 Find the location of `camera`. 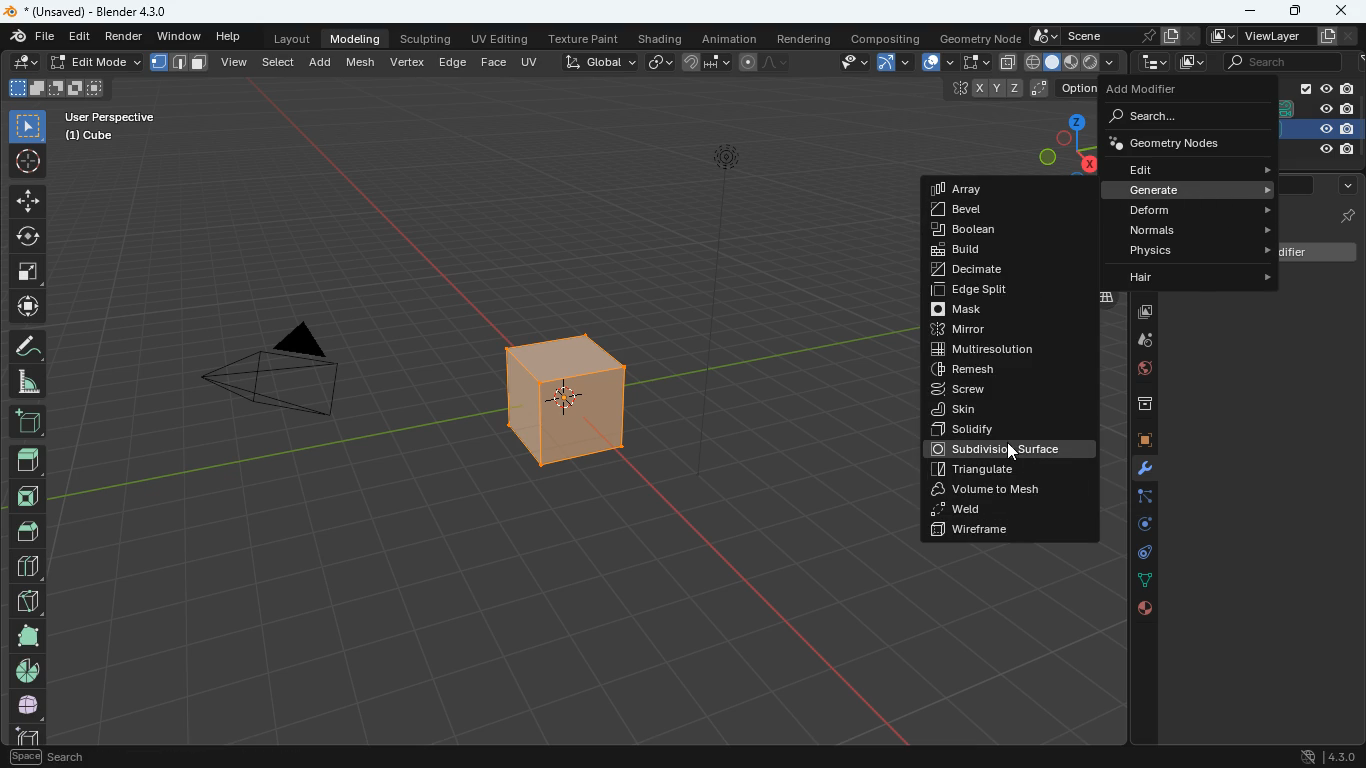

camera is located at coordinates (297, 381).